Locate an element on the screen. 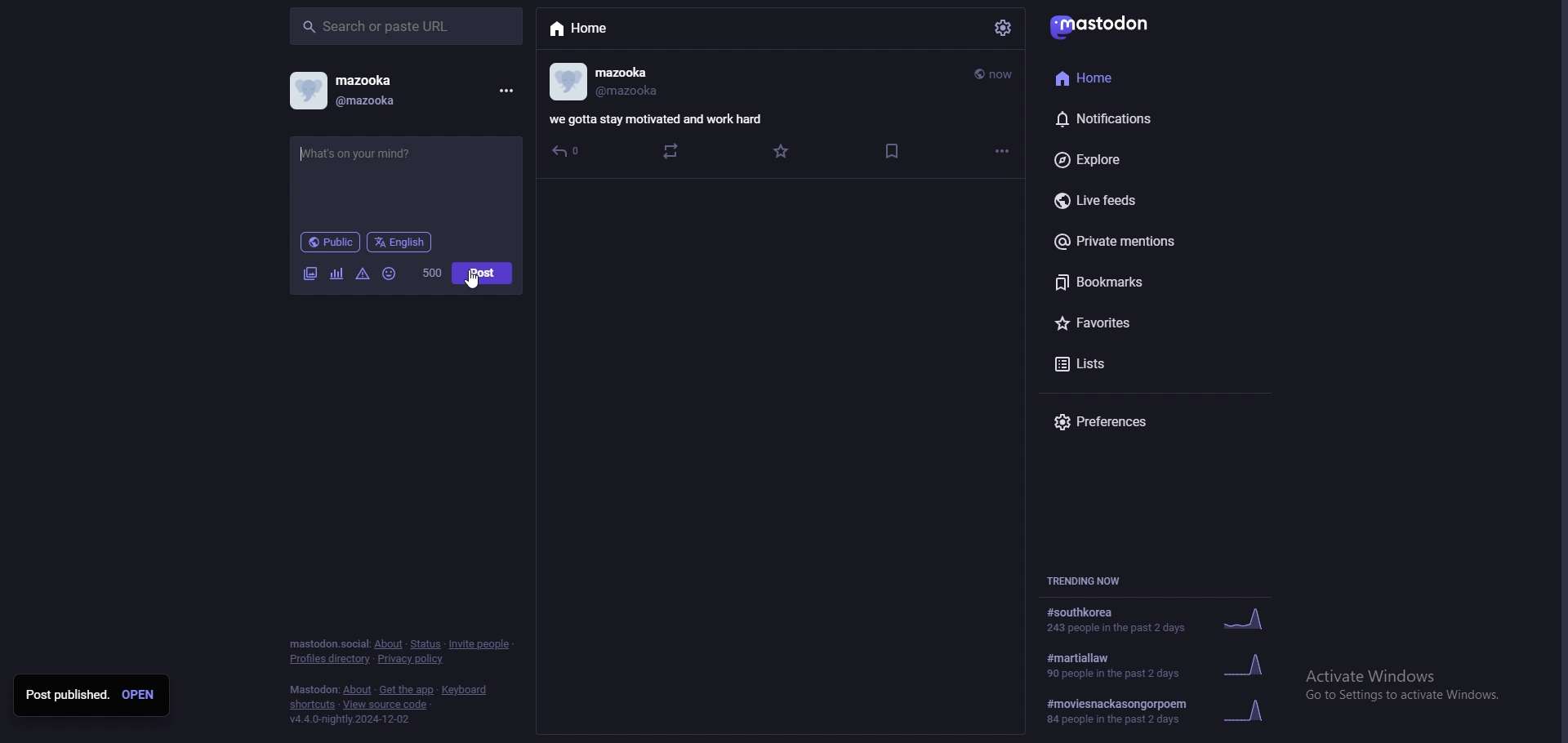 The image size is (1568, 743). mazooka is located at coordinates (650, 70).